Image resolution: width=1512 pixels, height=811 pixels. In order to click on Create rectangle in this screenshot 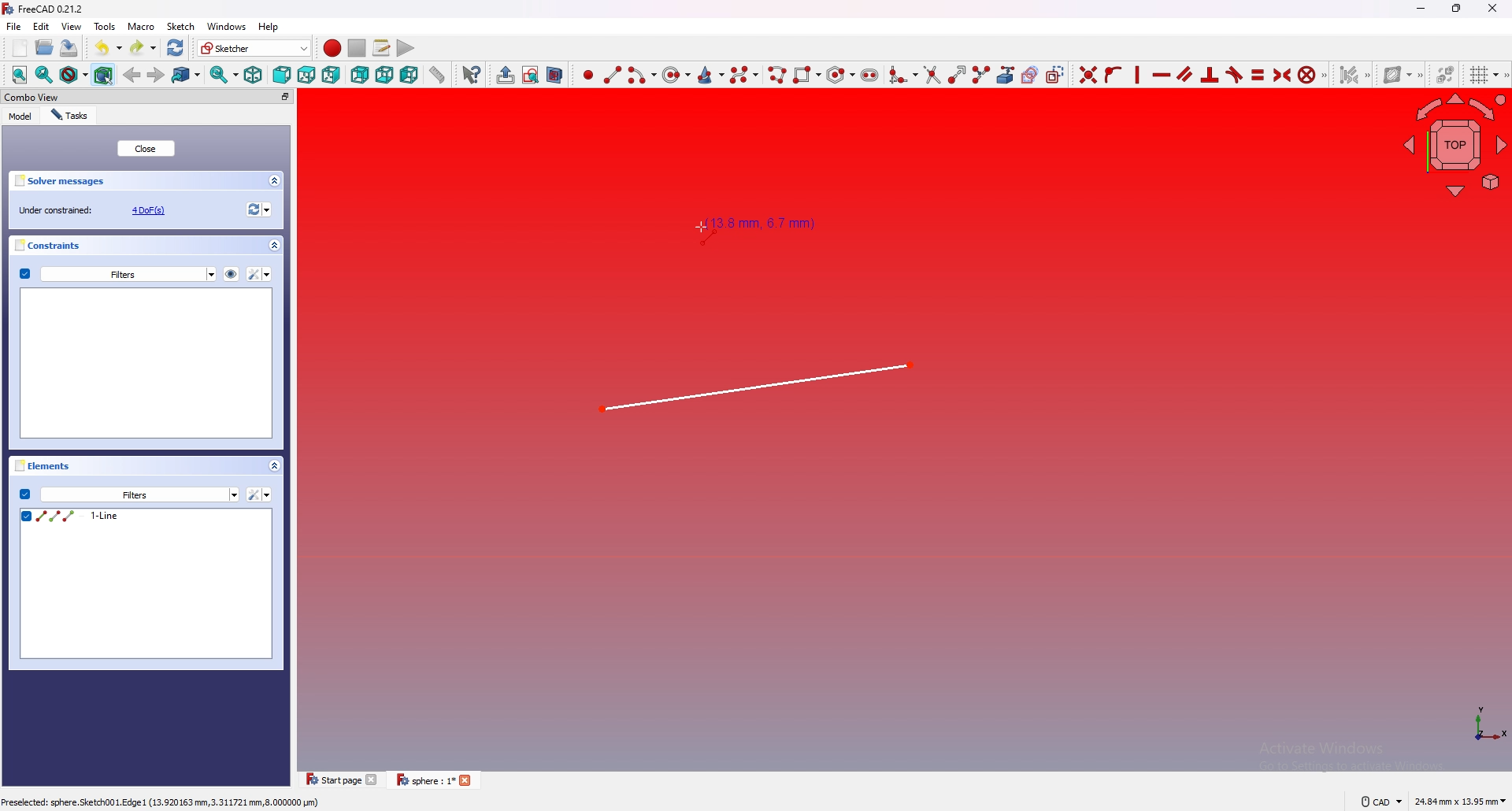, I will do `click(806, 73)`.